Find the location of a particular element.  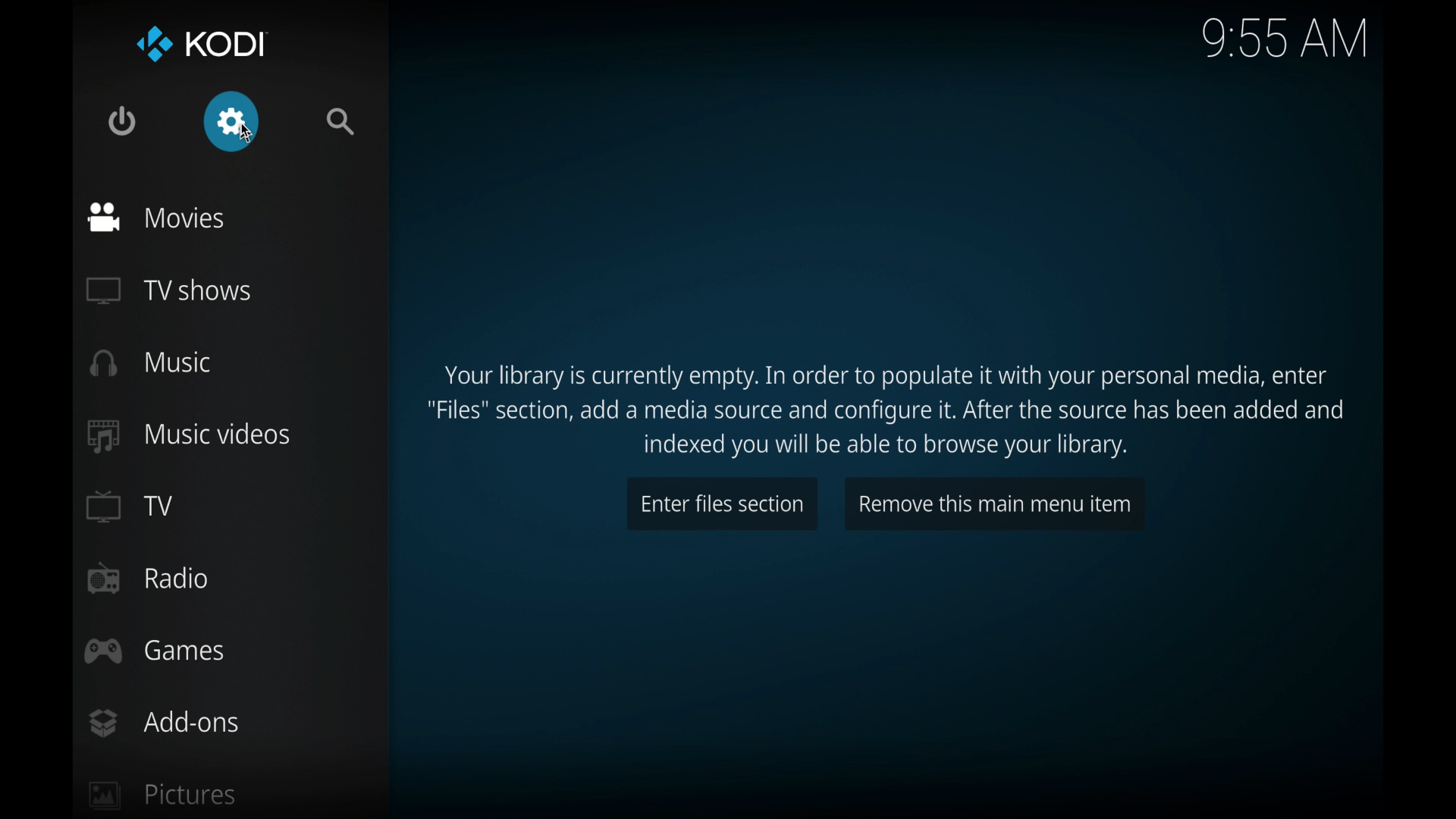

Cursor is located at coordinates (245, 136).